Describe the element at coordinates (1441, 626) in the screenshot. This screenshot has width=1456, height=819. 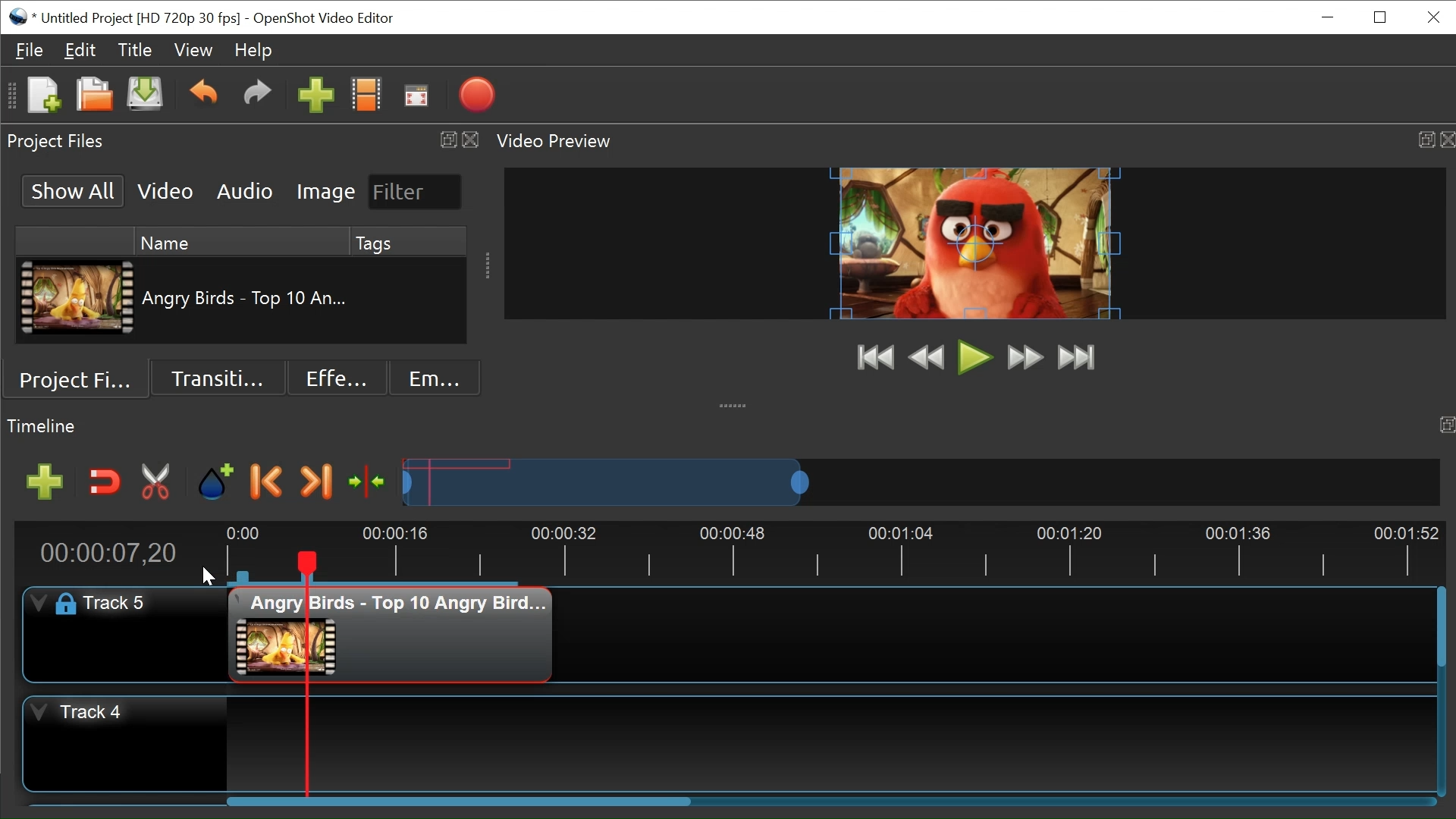
I see `Vertical Scroll bar` at that location.